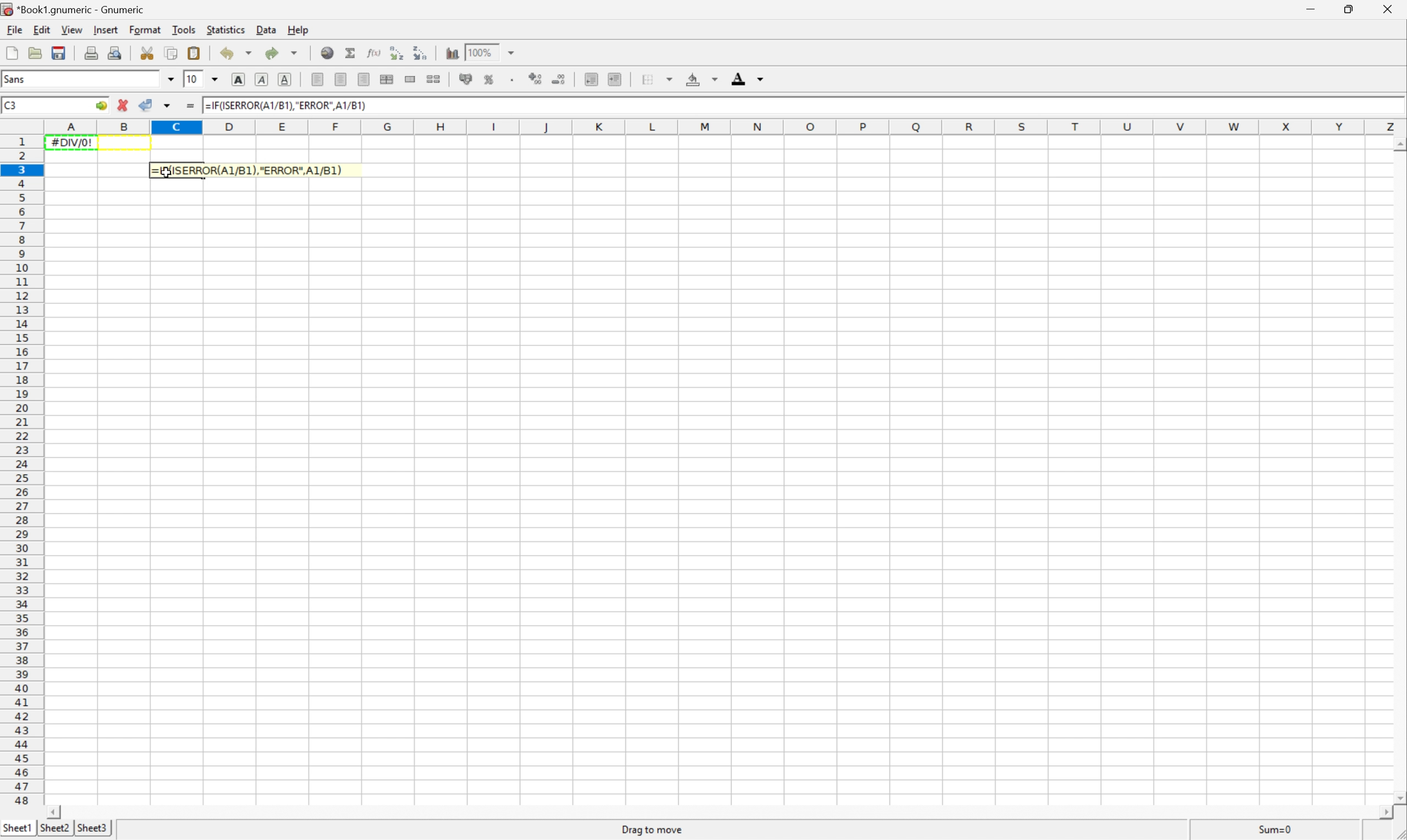 The width and height of the screenshot is (1407, 840). Describe the element at coordinates (226, 29) in the screenshot. I see `Statistics` at that location.